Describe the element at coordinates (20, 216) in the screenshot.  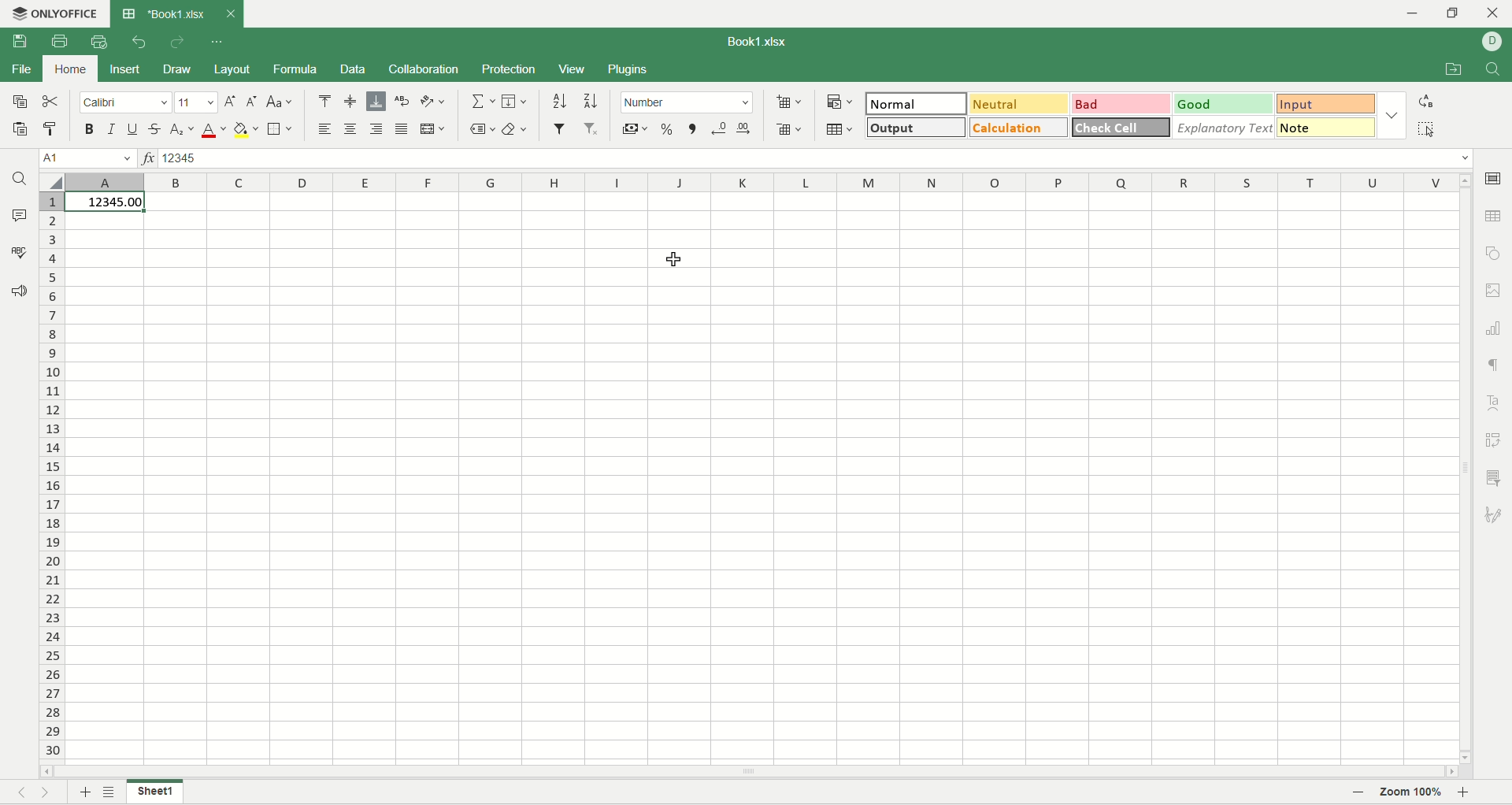
I see `comment` at that location.